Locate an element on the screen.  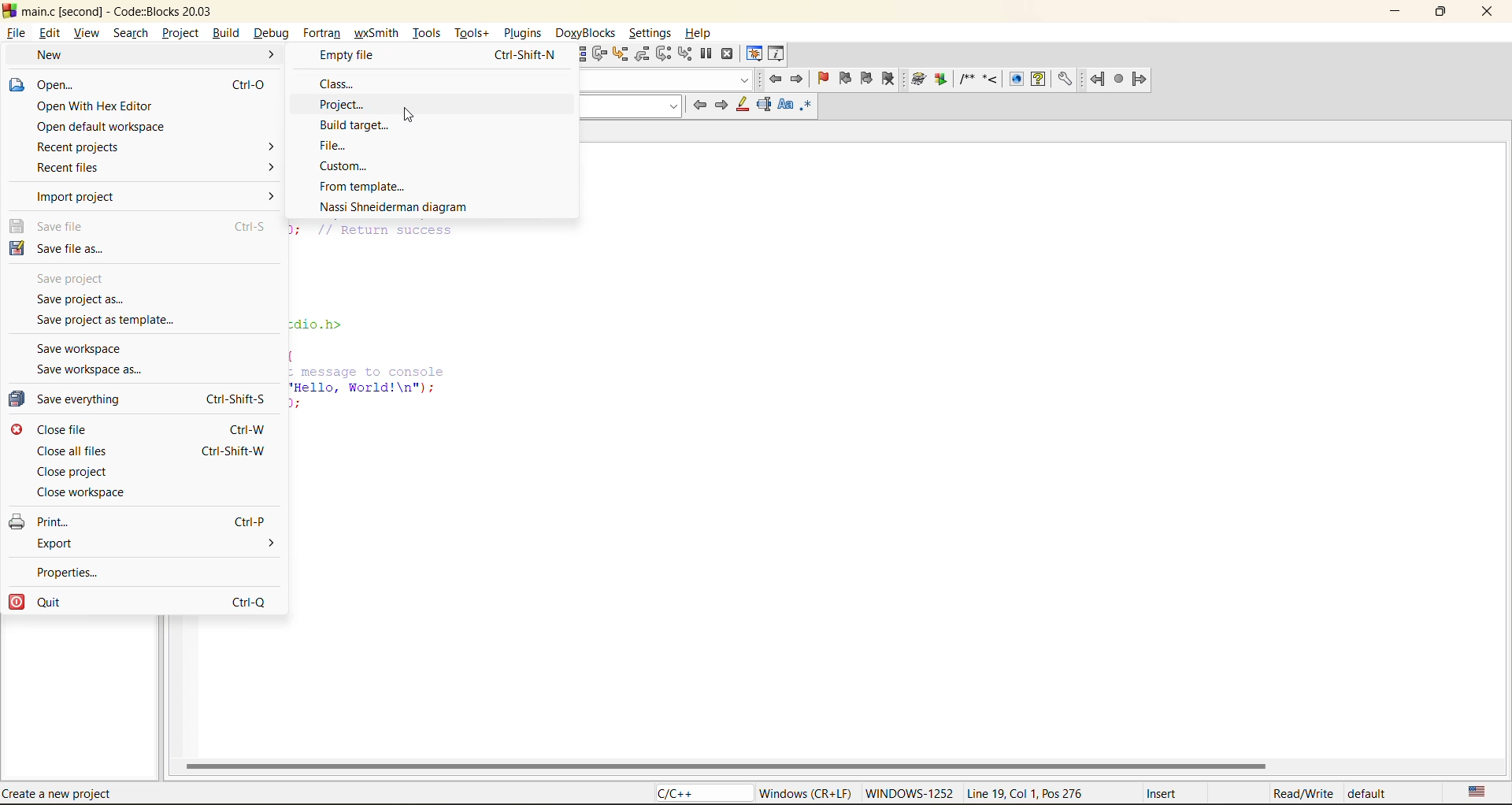
Ctrl-S is located at coordinates (246, 225).